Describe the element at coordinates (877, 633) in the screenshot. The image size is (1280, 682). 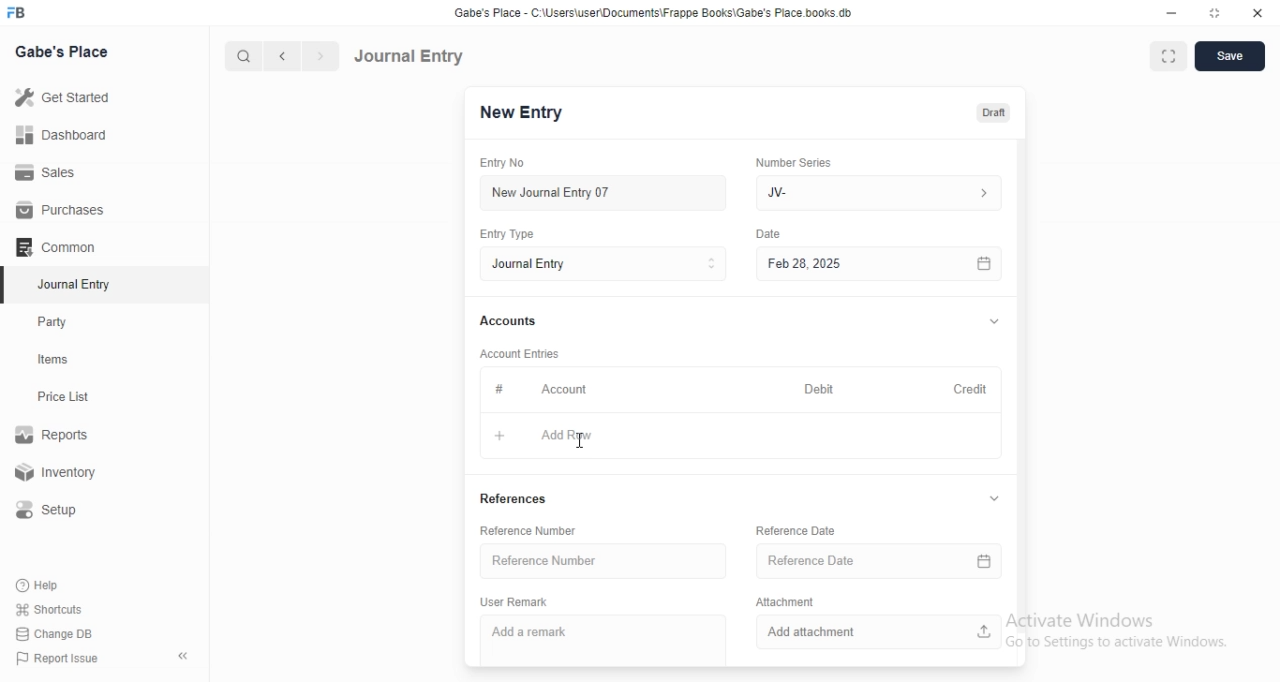
I see `Add attachment` at that location.